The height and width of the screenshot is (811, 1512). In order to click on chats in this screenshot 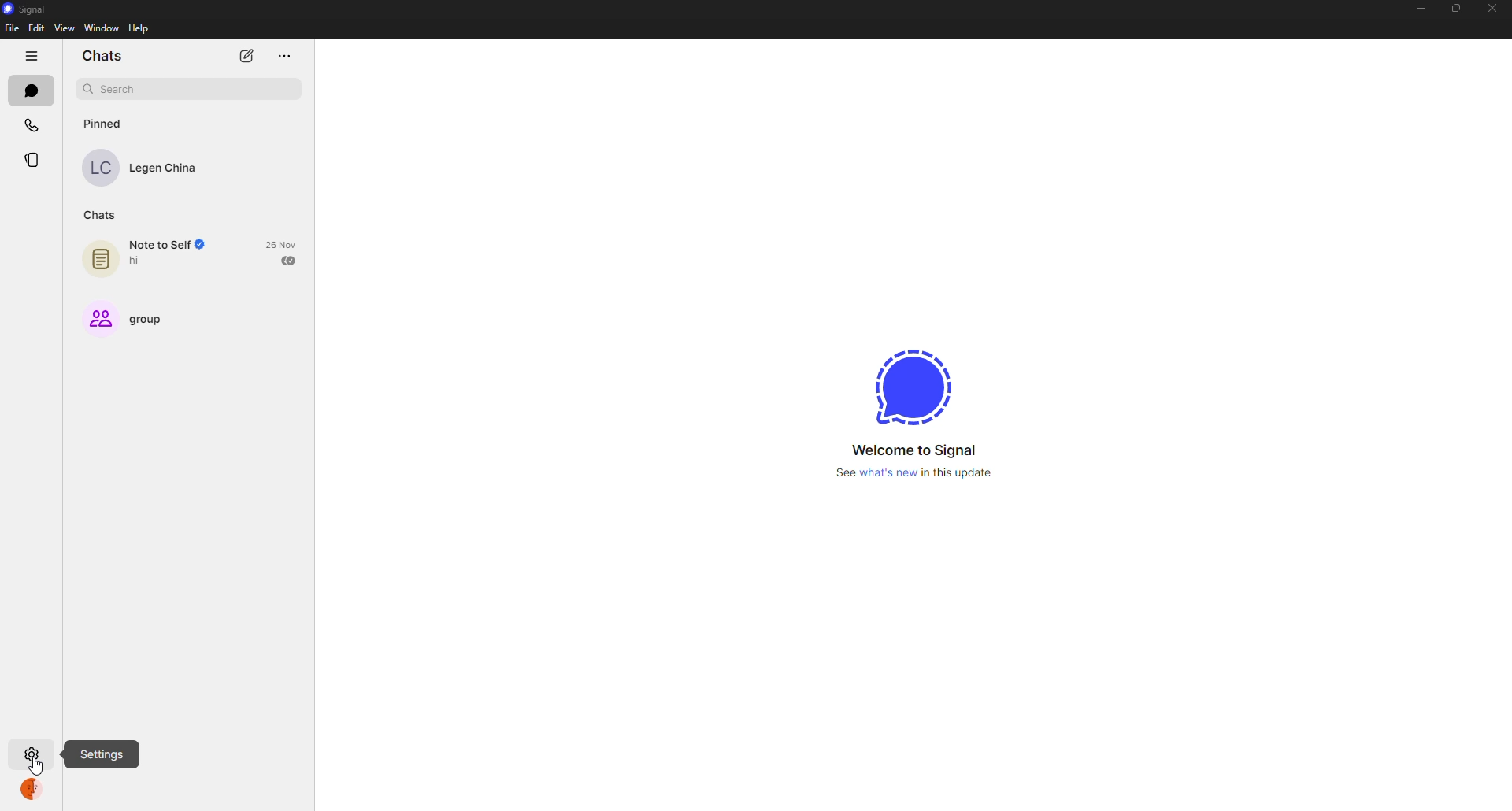, I will do `click(31, 90)`.